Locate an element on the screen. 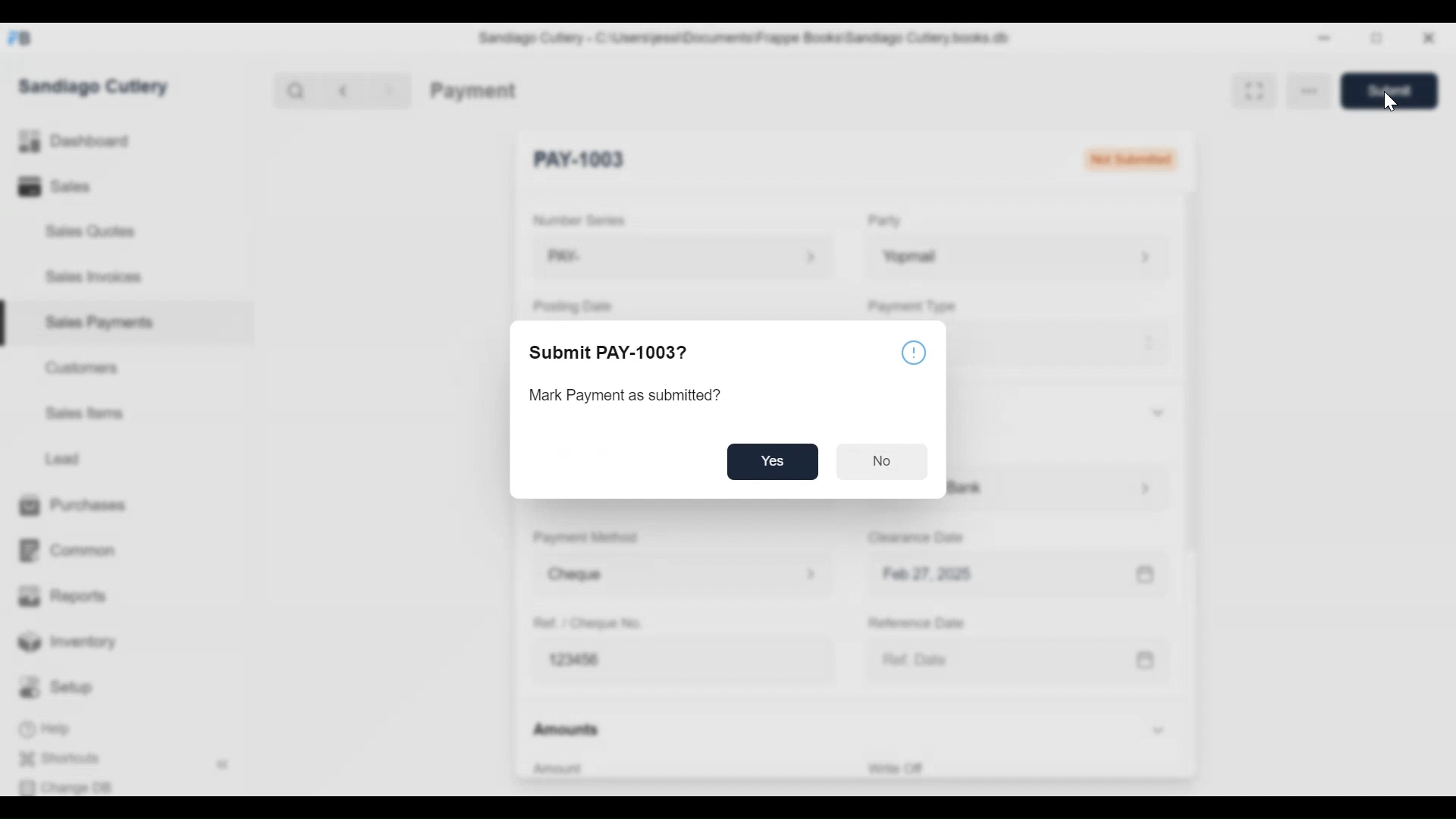  Help is located at coordinates (915, 353).